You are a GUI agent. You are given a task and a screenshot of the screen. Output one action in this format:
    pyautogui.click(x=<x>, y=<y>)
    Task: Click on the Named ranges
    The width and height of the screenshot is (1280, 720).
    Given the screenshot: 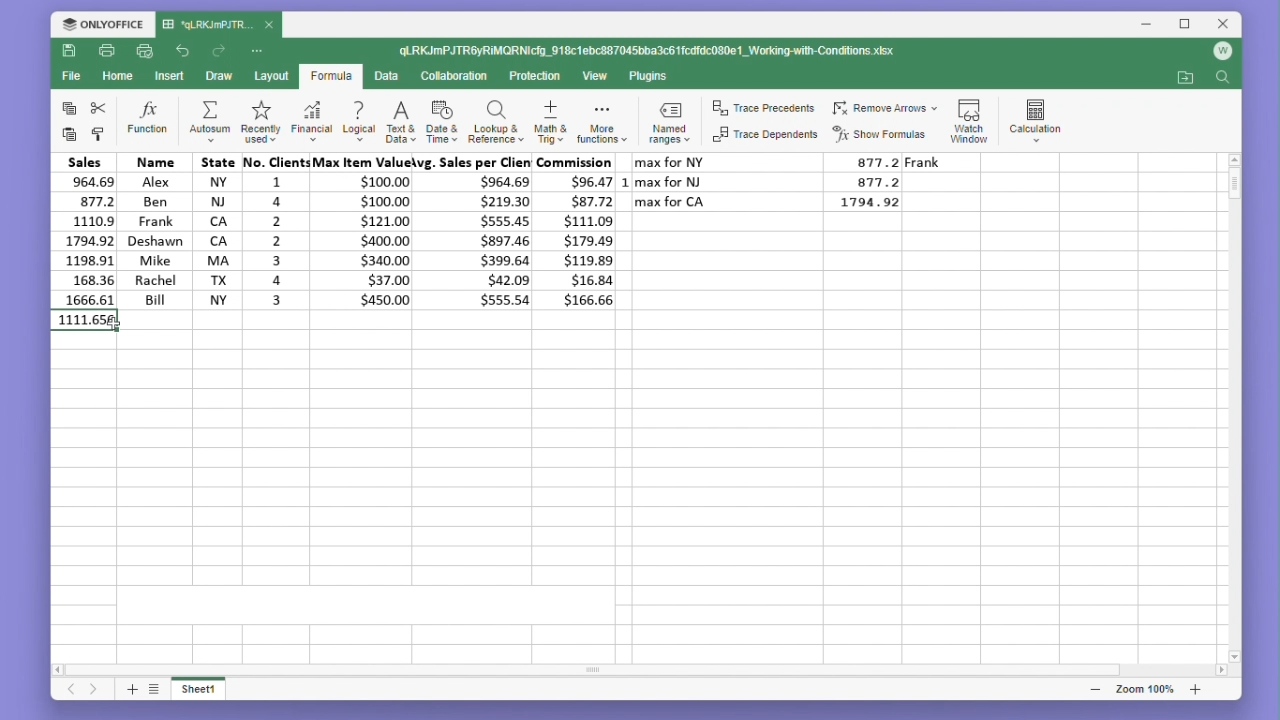 What is the action you would take?
    pyautogui.click(x=673, y=121)
    